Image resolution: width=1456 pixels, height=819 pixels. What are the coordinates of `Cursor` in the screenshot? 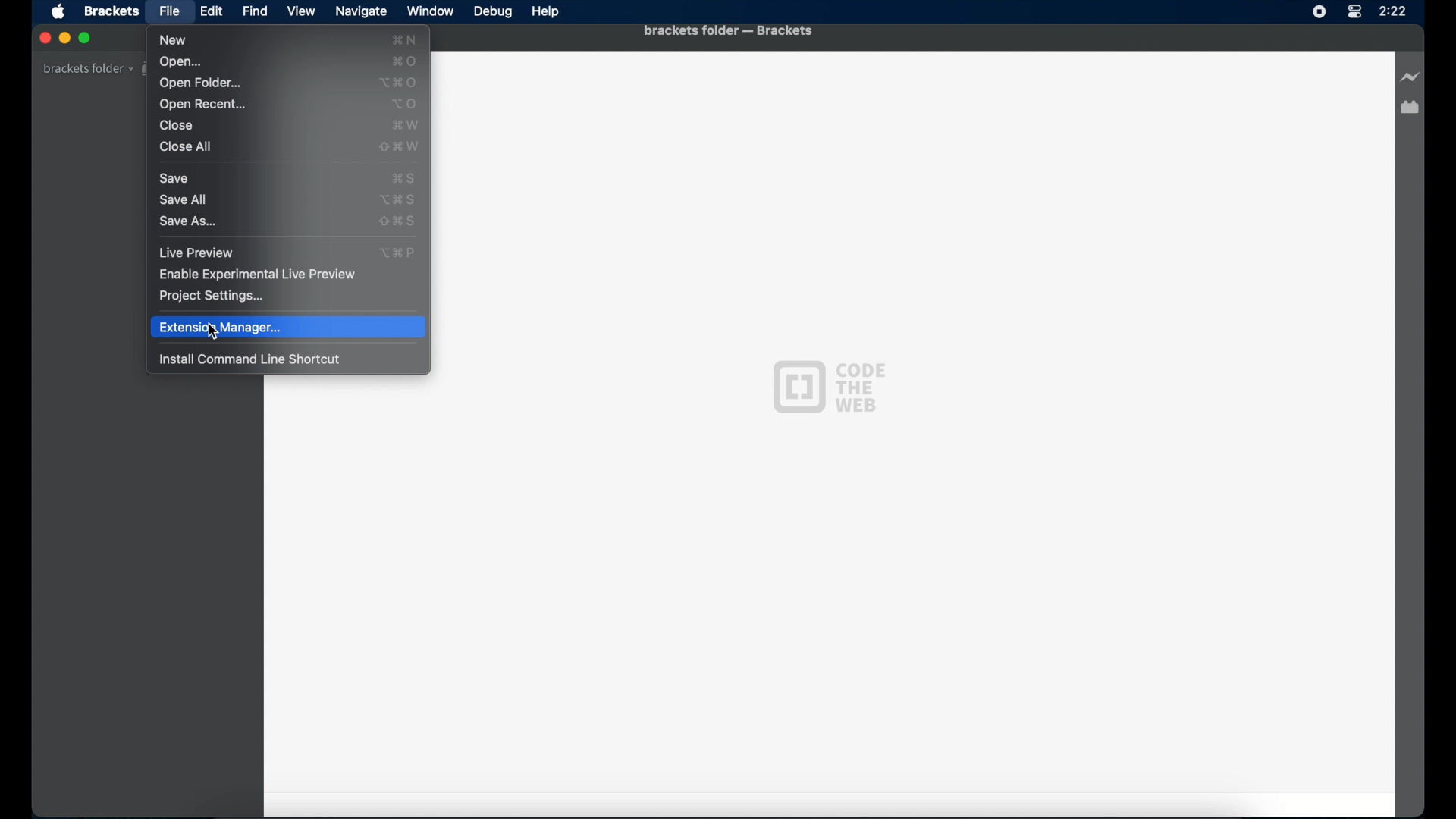 It's located at (212, 337).